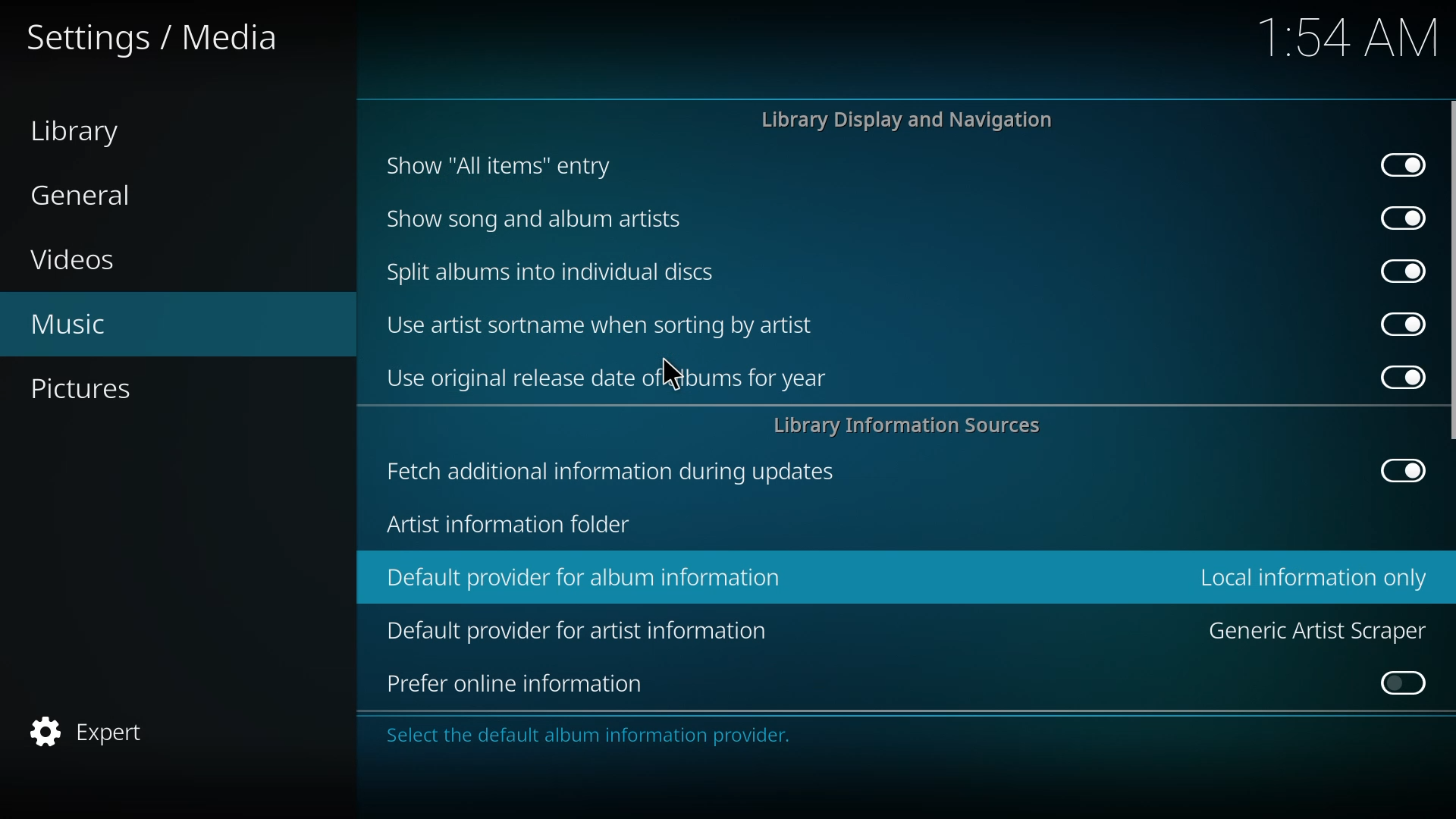 The height and width of the screenshot is (819, 1456). Describe the element at coordinates (1316, 629) in the screenshot. I see `generic` at that location.